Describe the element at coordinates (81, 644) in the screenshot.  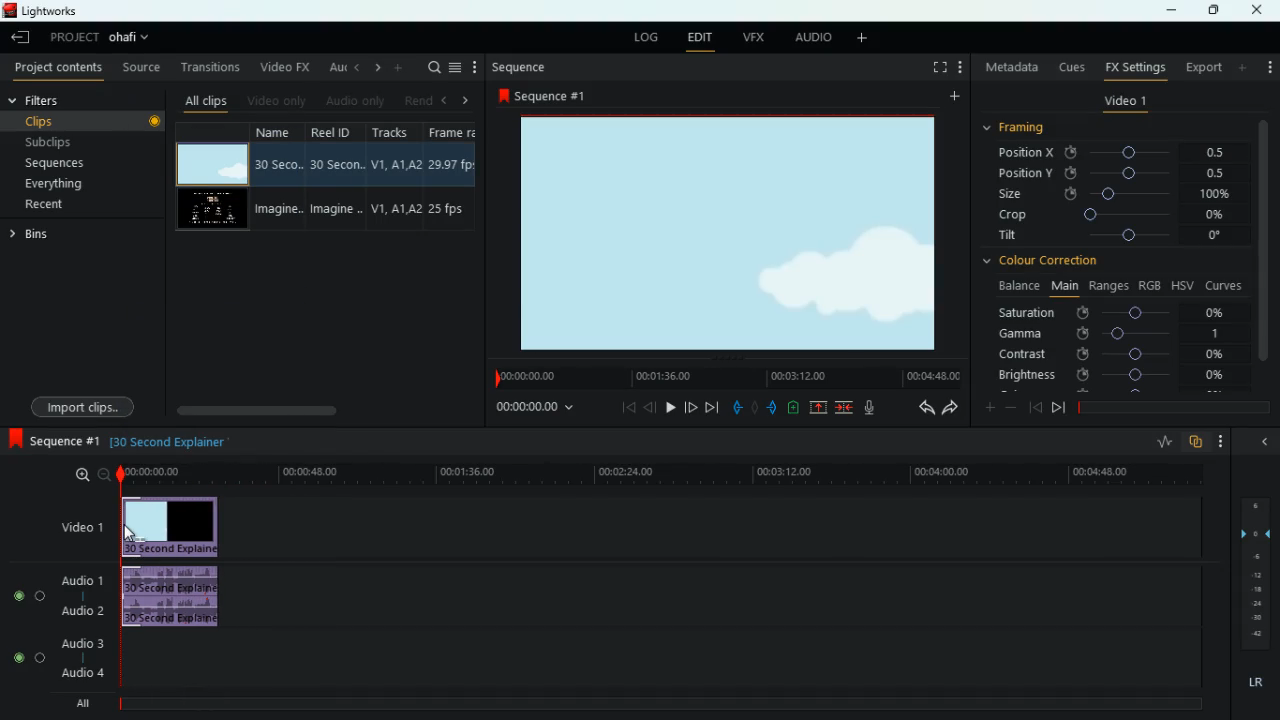
I see `audio 3` at that location.